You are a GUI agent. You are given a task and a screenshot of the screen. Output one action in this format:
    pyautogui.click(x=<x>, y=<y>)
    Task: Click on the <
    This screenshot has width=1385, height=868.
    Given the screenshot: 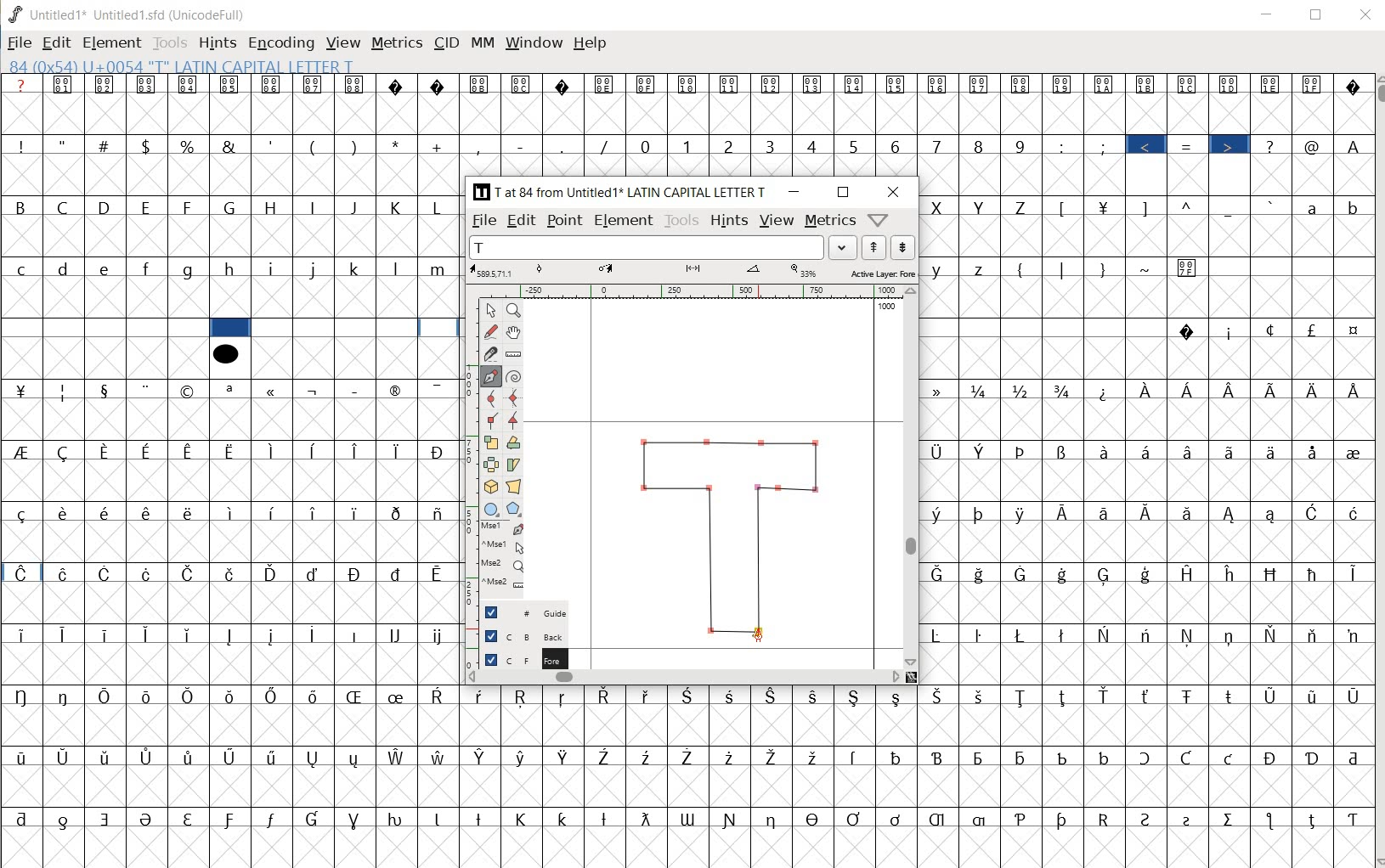 What is the action you would take?
    pyautogui.click(x=1149, y=146)
    